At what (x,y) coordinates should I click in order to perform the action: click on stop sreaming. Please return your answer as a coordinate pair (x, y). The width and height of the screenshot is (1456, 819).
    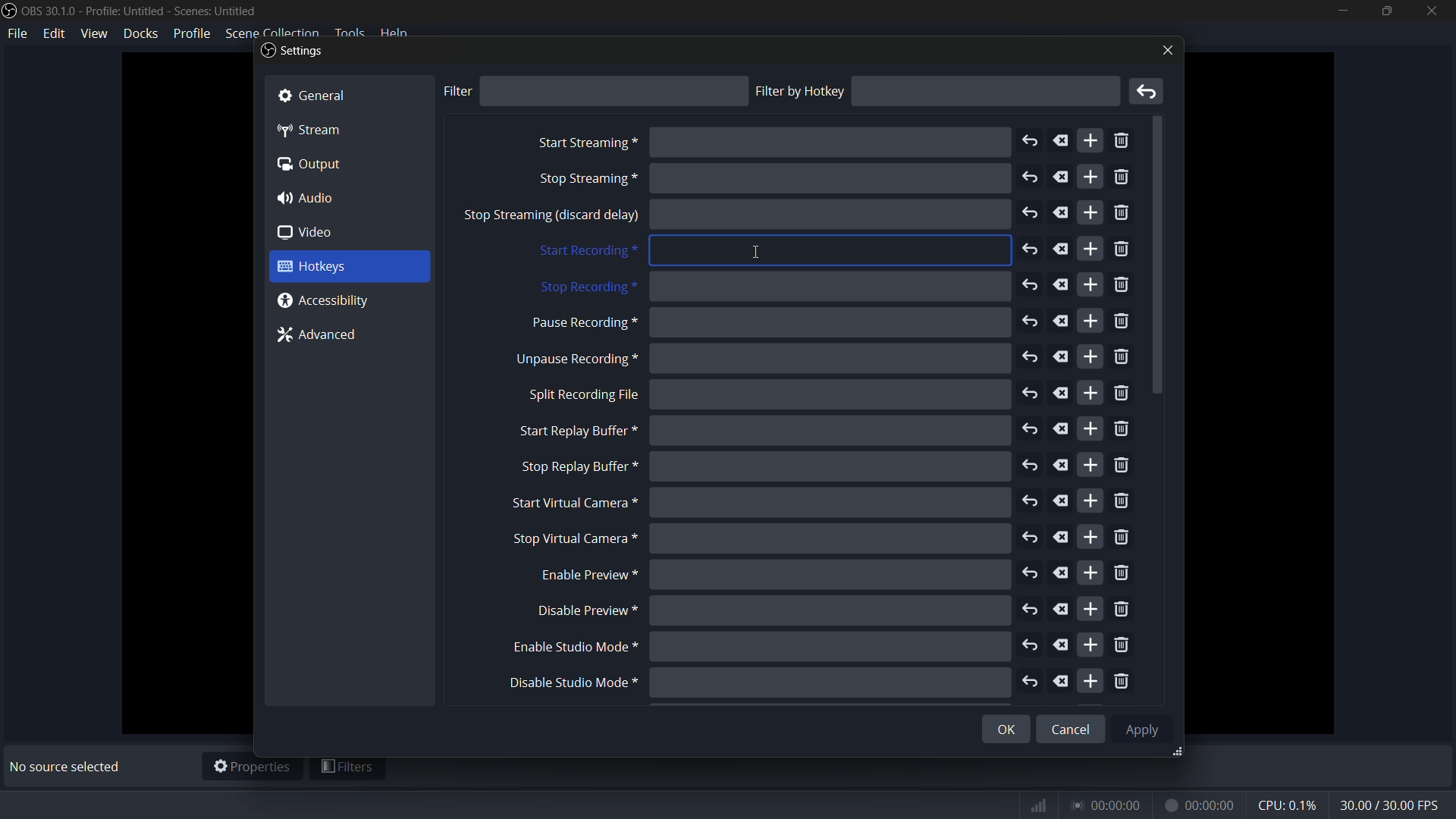
    Looking at the image, I should click on (551, 217).